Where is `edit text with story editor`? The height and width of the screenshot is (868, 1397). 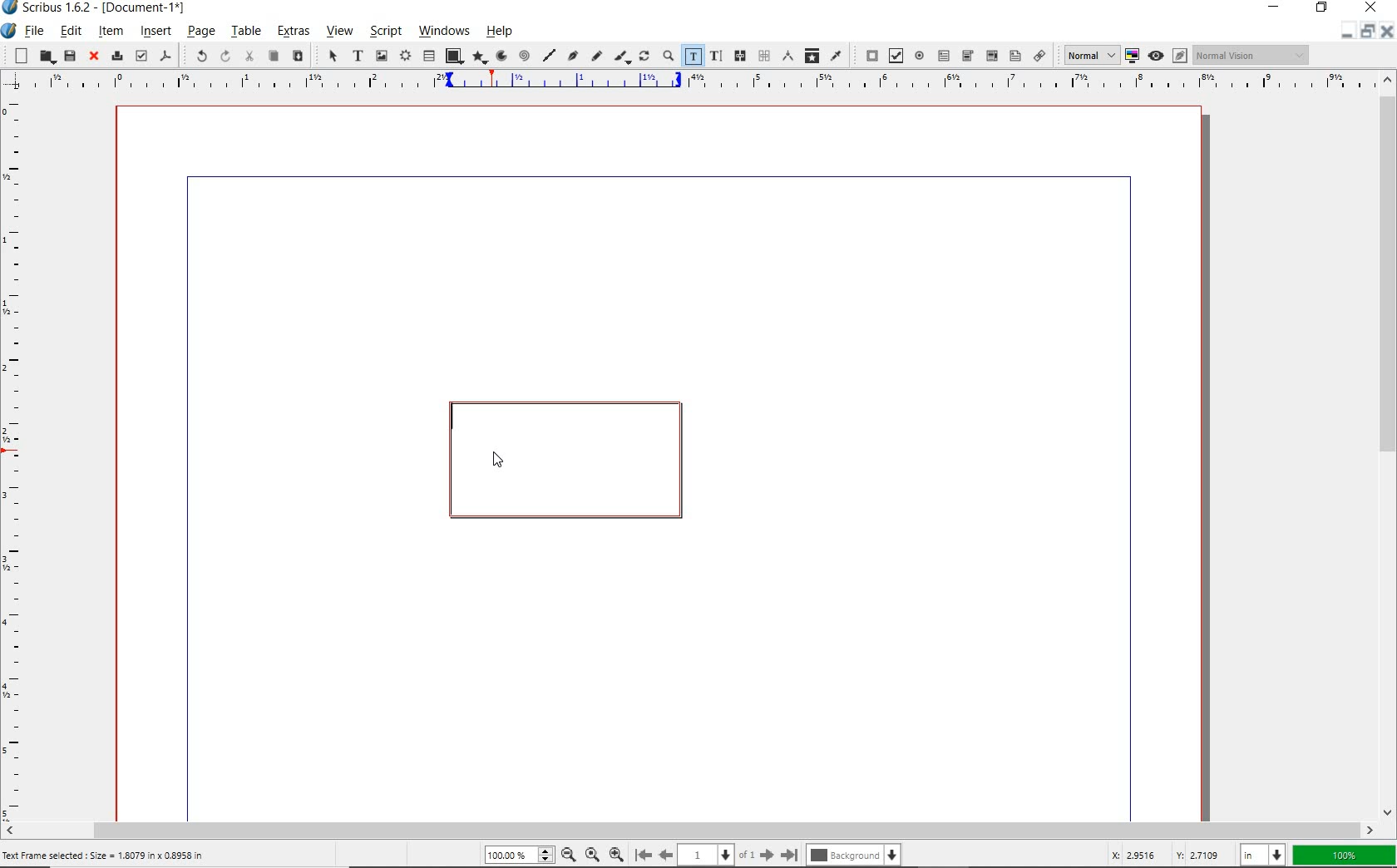 edit text with story editor is located at coordinates (715, 57).